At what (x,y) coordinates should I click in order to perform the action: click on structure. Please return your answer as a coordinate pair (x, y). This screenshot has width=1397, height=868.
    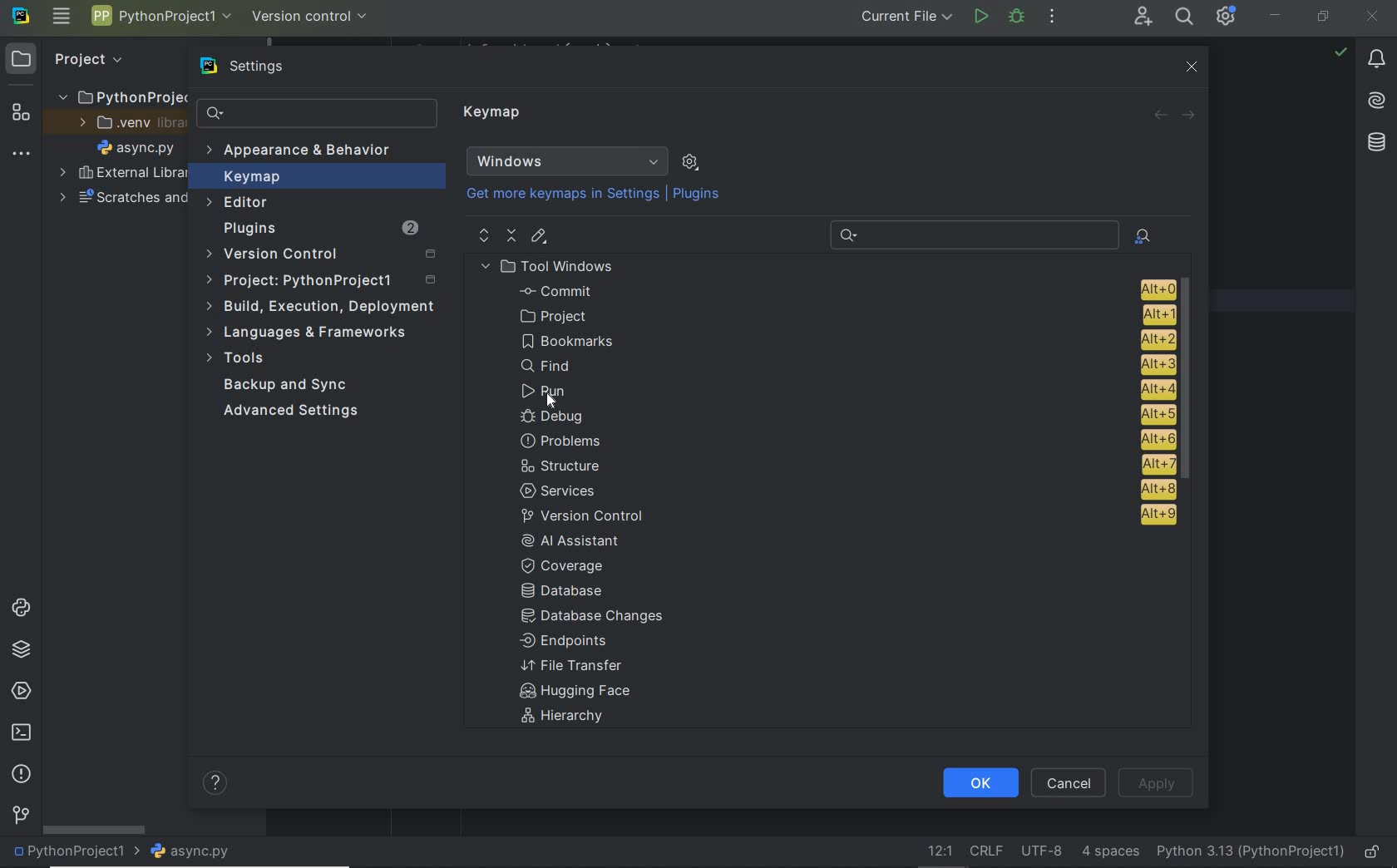
    Looking at the image, I should click on (847, 465).